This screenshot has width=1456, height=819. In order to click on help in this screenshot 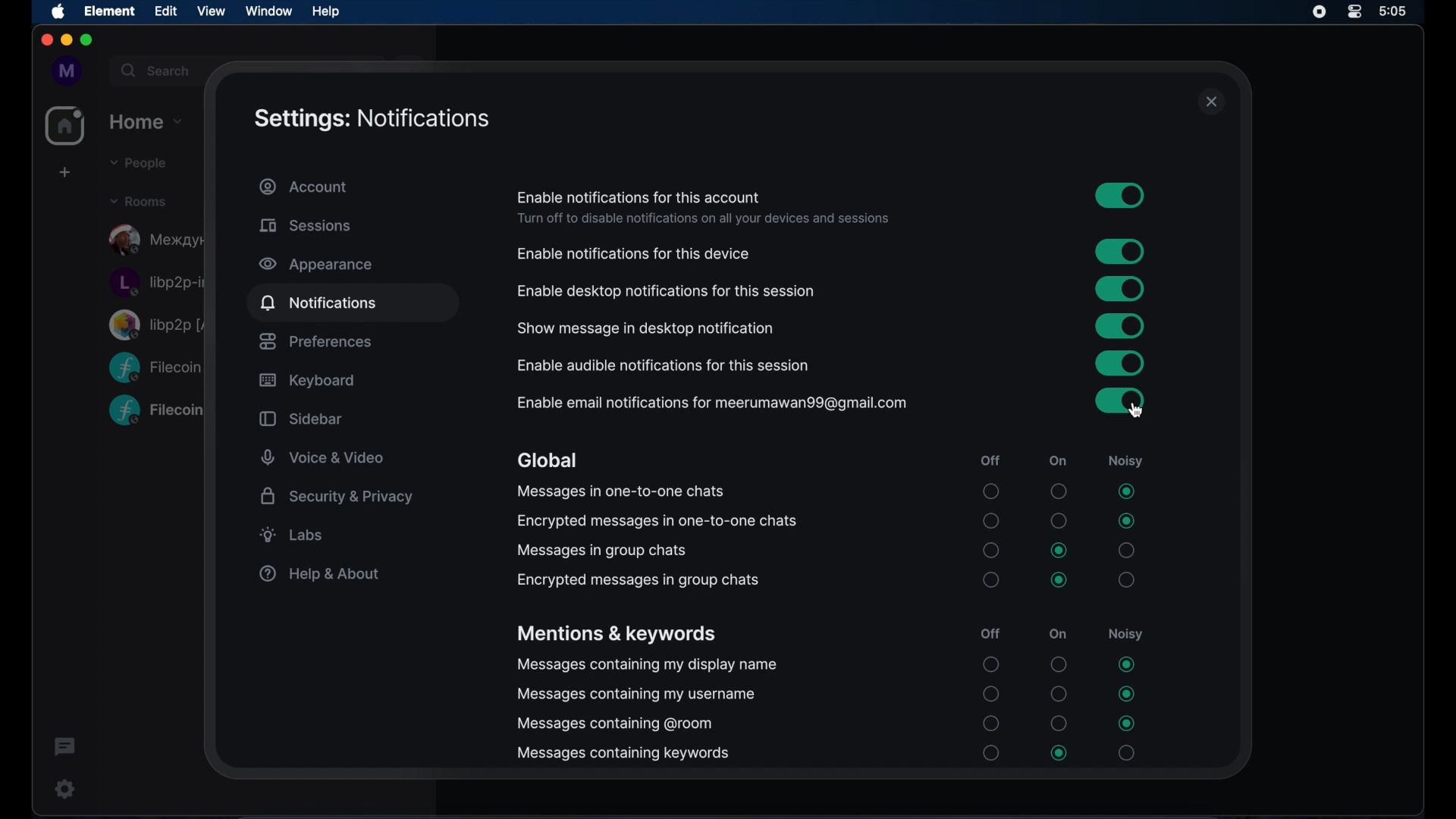, I will do `click(325, 11)`.